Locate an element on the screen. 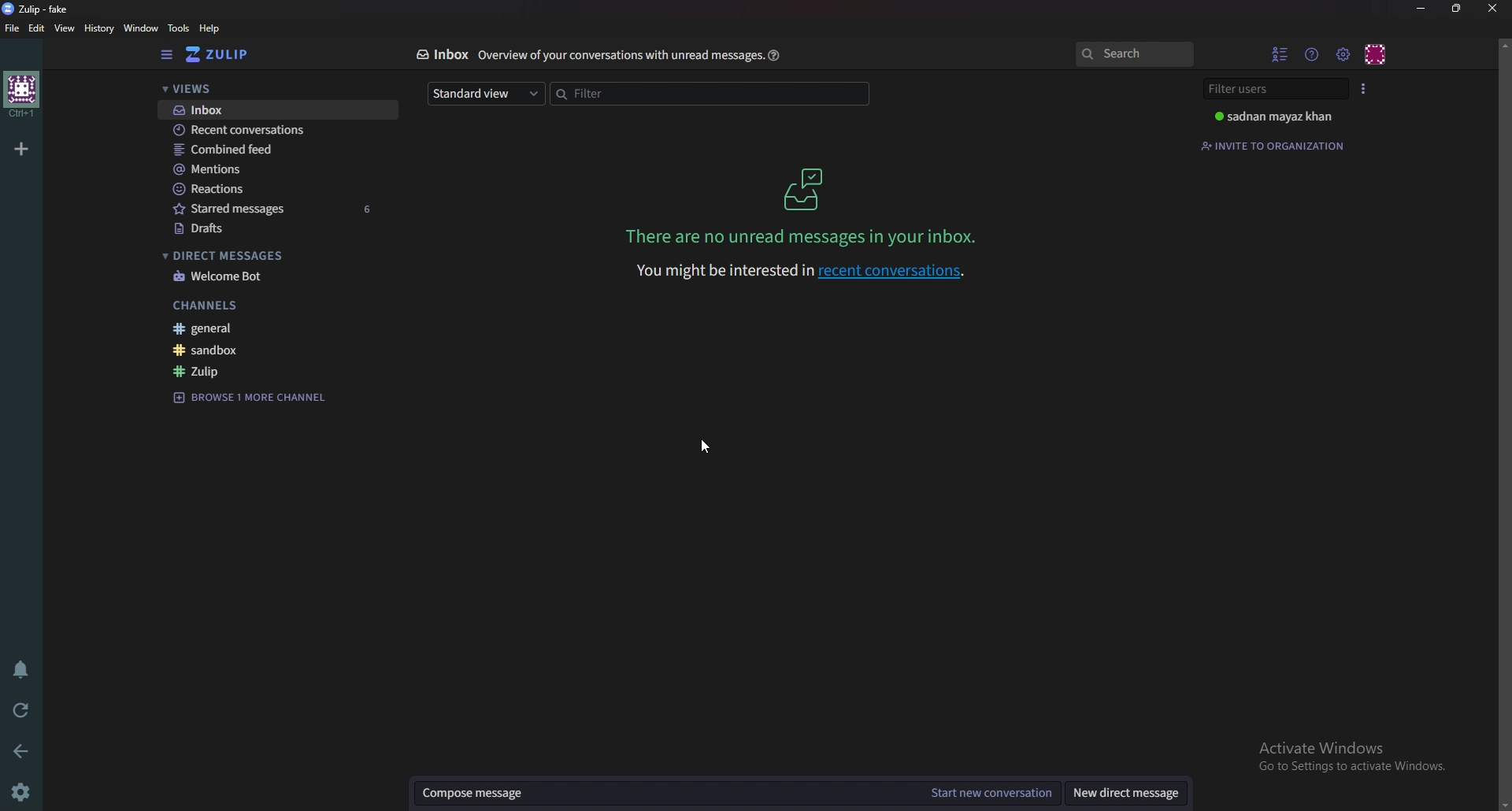 This screenshot has width=1512, height=811. Sadnan mayaz khan is located at coordinates (1278, 117).